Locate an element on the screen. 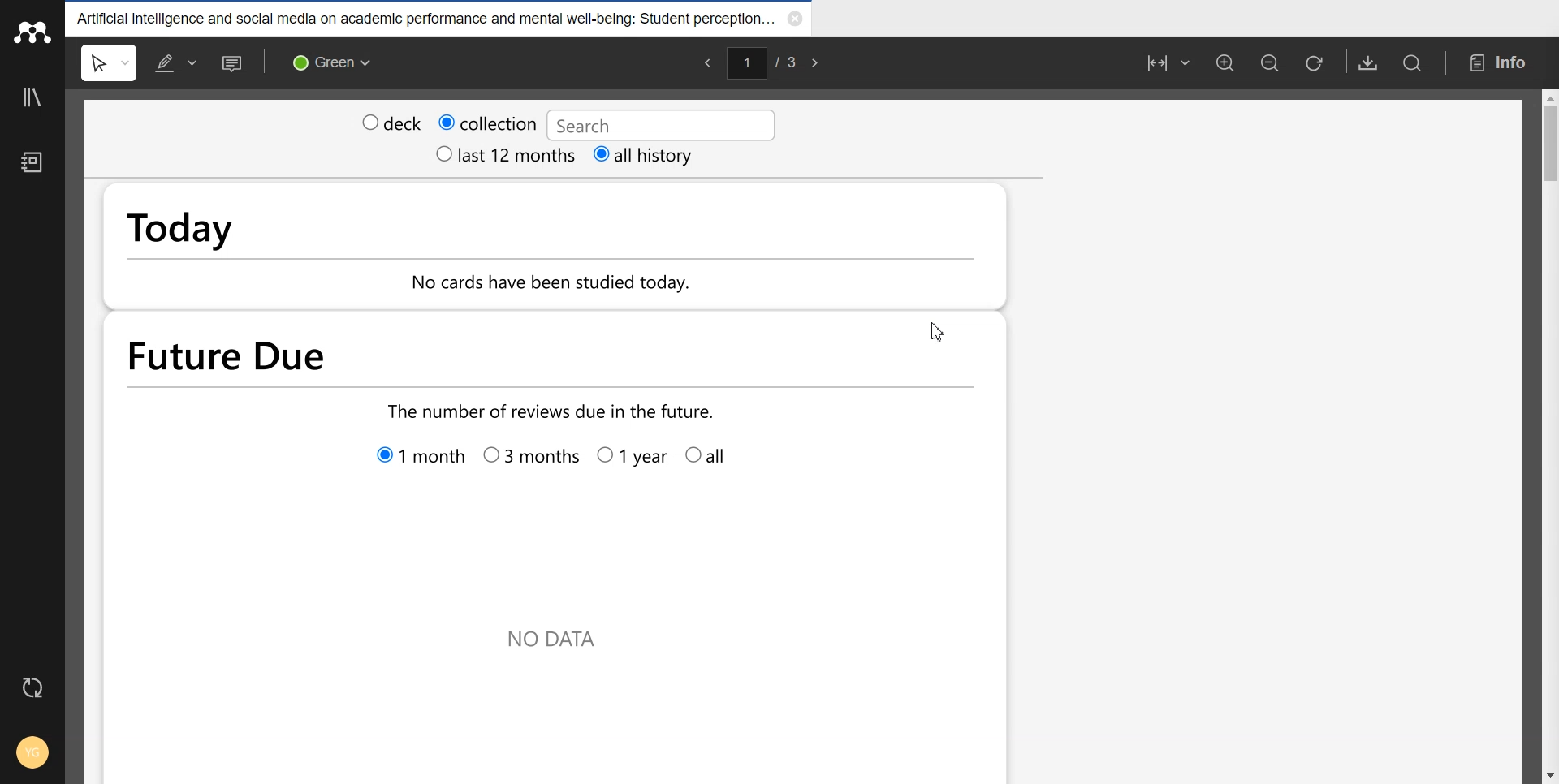 The height and width of the screenshot is (784, 1559). 1 year is located at coordinates (631, 459).